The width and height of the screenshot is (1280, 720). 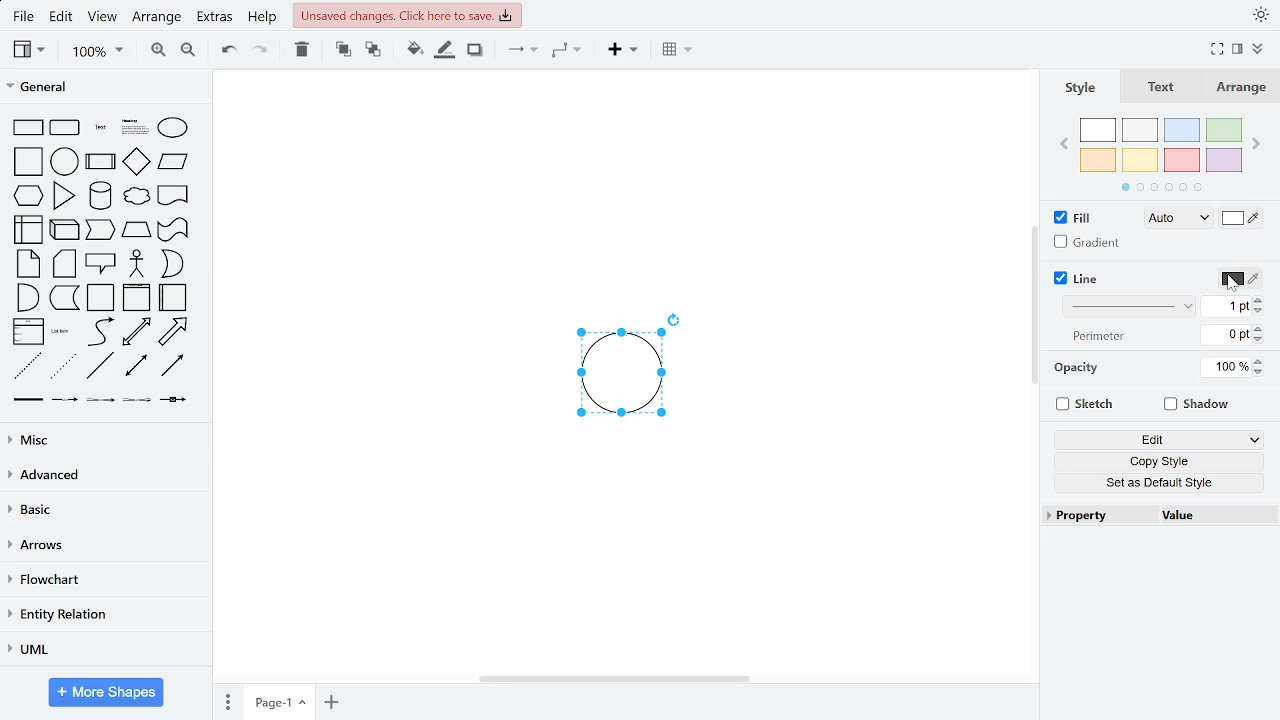 What do you see at coordinates (1197, 407) in the screenshot?
I see `shadow` at bounding box center [1197, 407].